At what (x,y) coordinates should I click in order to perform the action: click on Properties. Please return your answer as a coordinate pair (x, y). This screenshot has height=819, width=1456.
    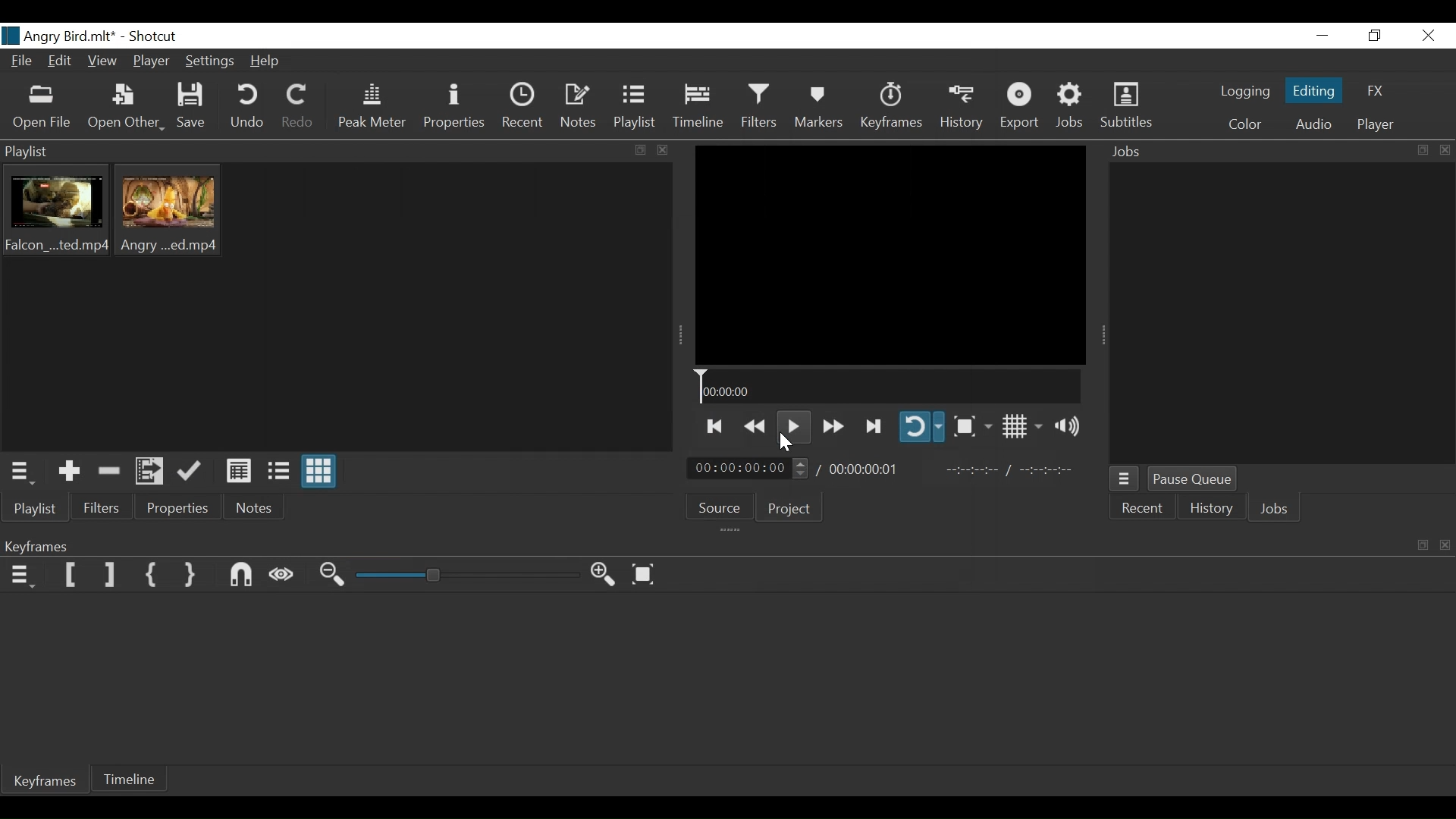
    Looking at the image, I should click on (177, 507).